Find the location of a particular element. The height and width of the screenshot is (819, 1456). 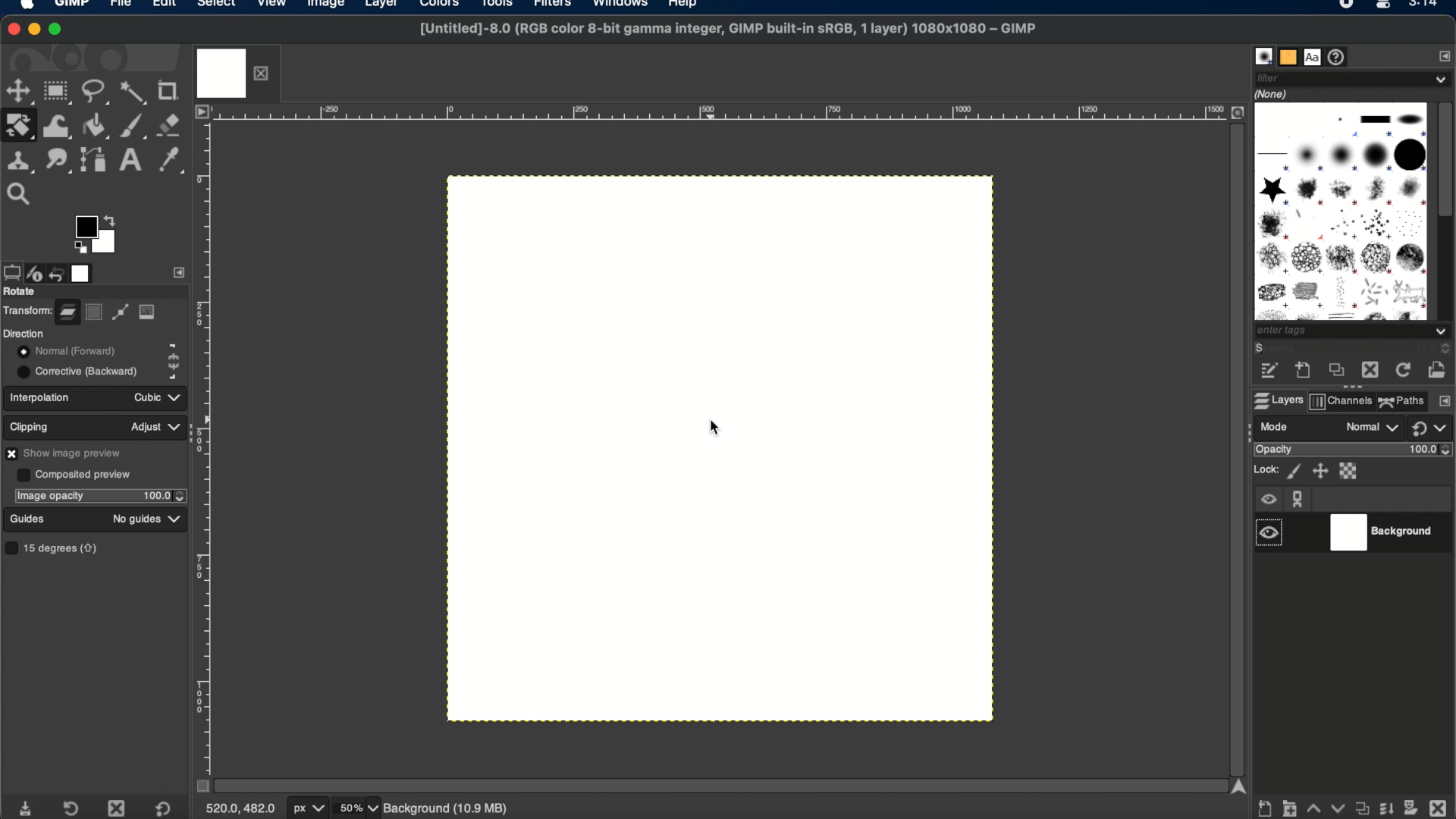

spacing stepper buttons is located at coordinates (1441, 349).